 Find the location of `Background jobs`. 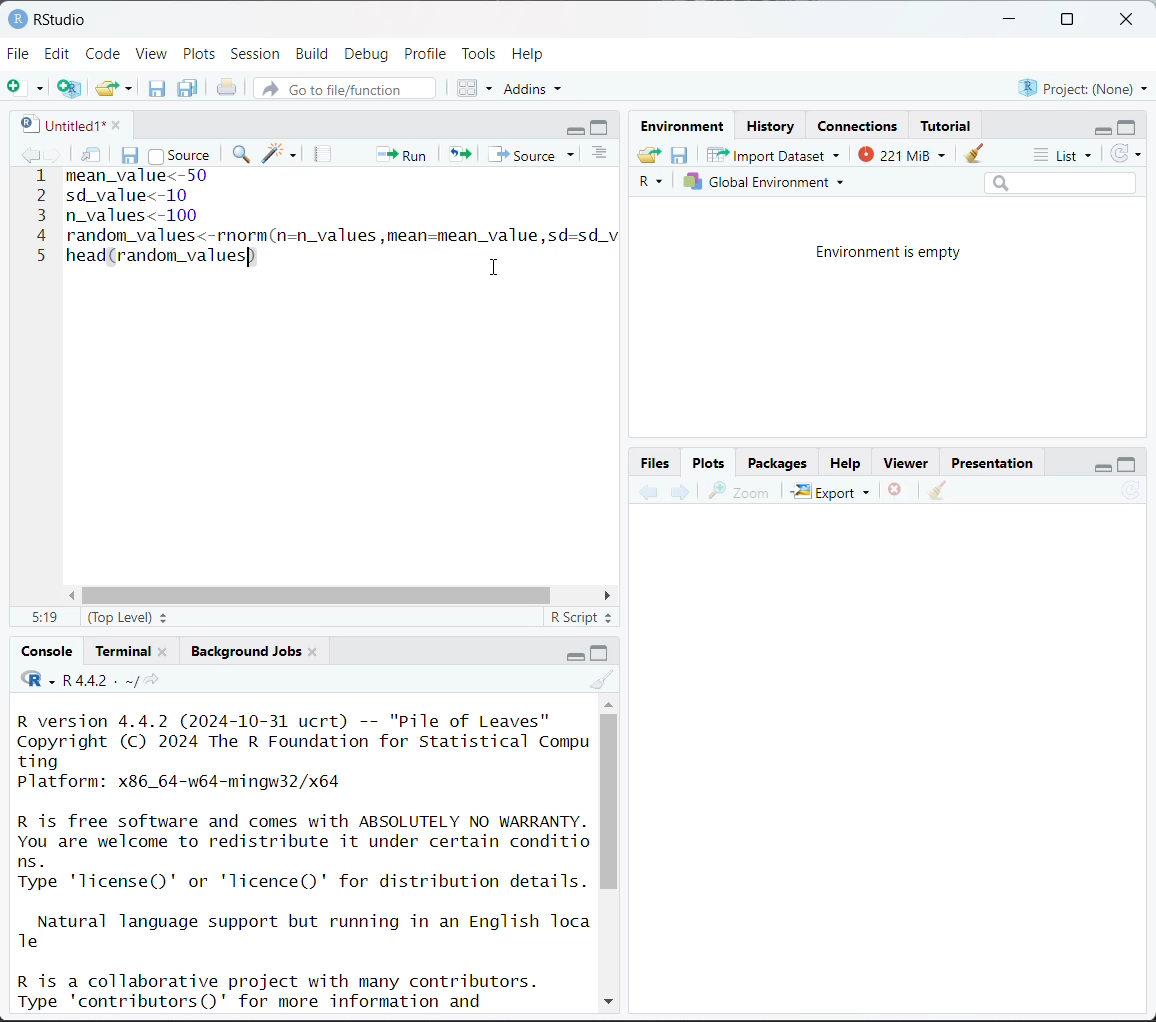

Background jobs is located at coordinates (246, 651).